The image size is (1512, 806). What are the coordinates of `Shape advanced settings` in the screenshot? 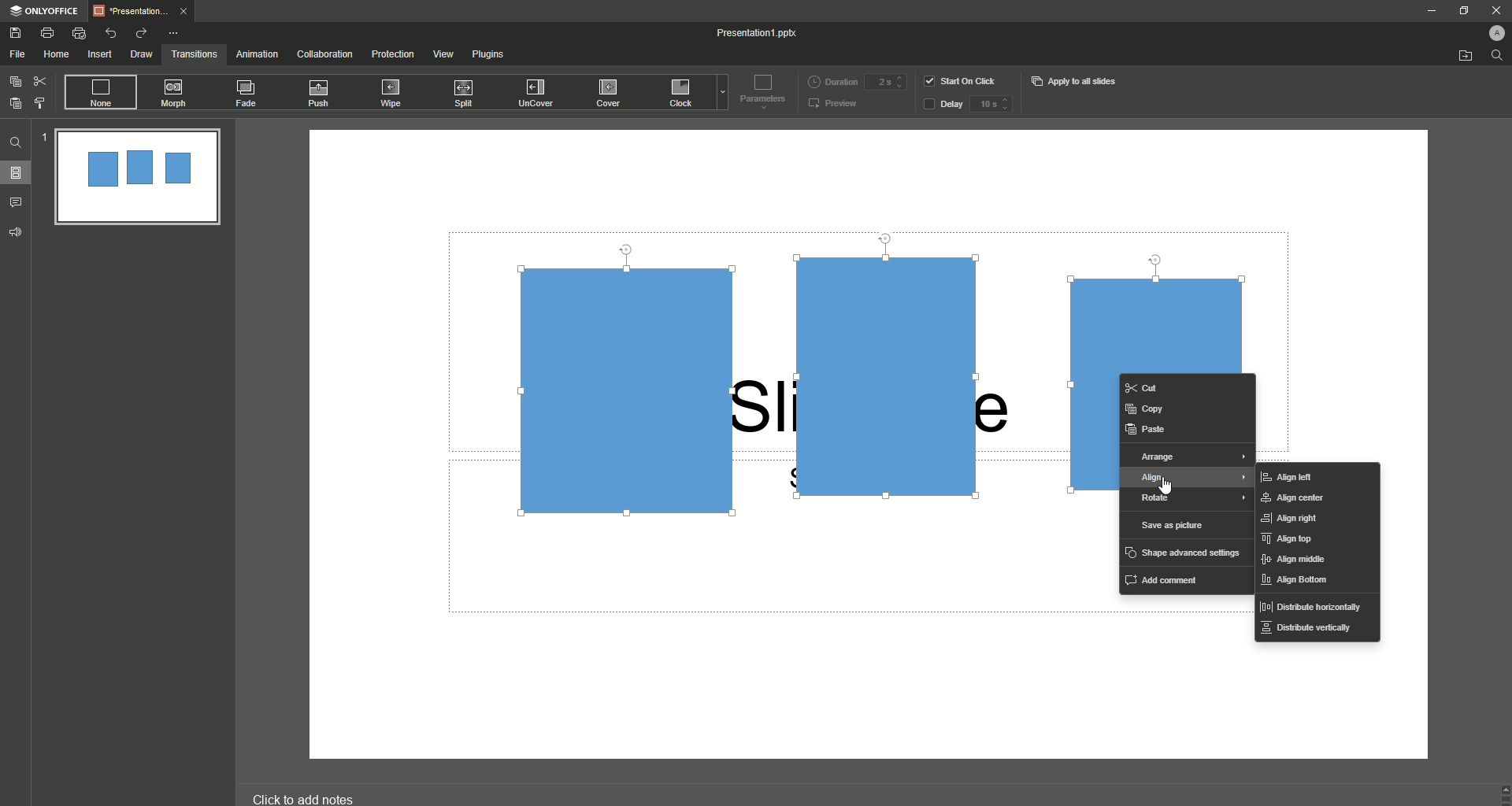 It's located at (1184, 552).